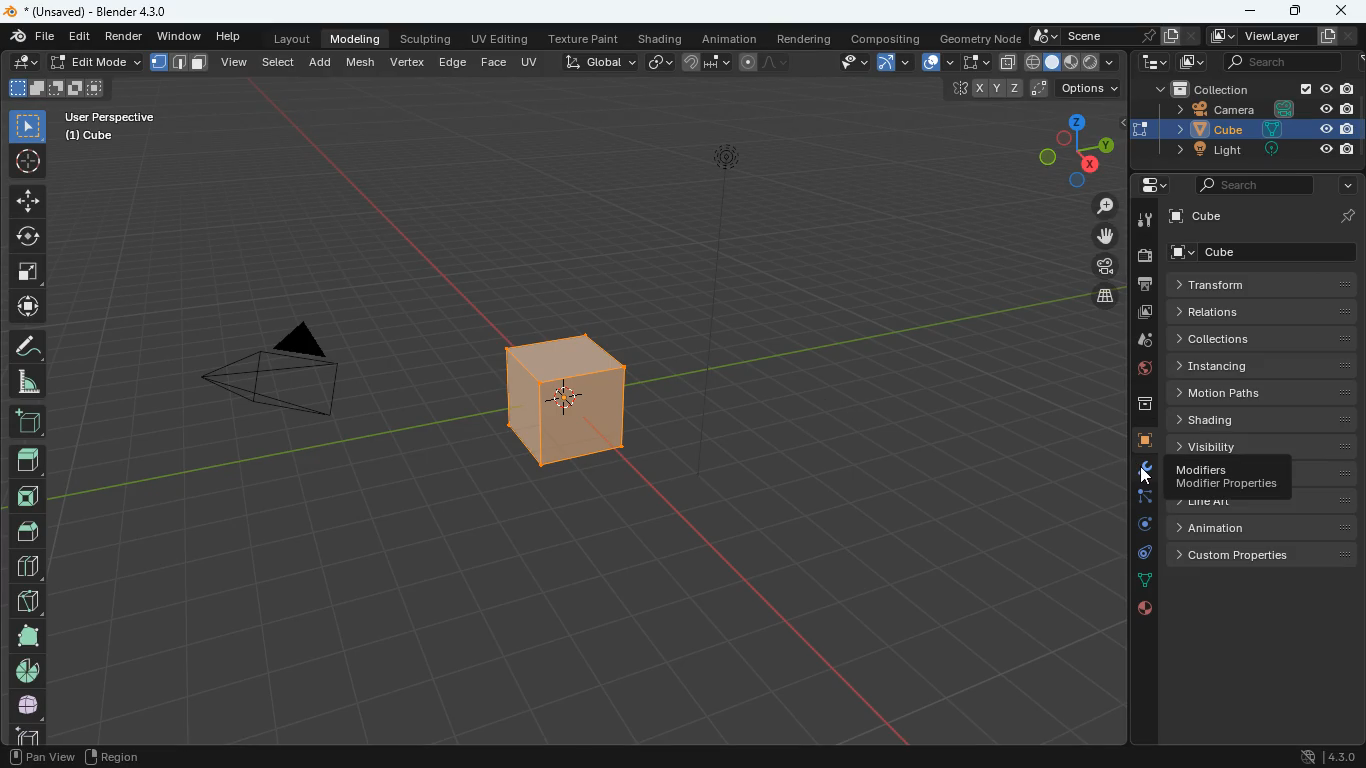 The height and width of the screenshot is (768, 1366). Describe the element at coordinates (38, 756) in the screenshot. I see `pan view` at that location.